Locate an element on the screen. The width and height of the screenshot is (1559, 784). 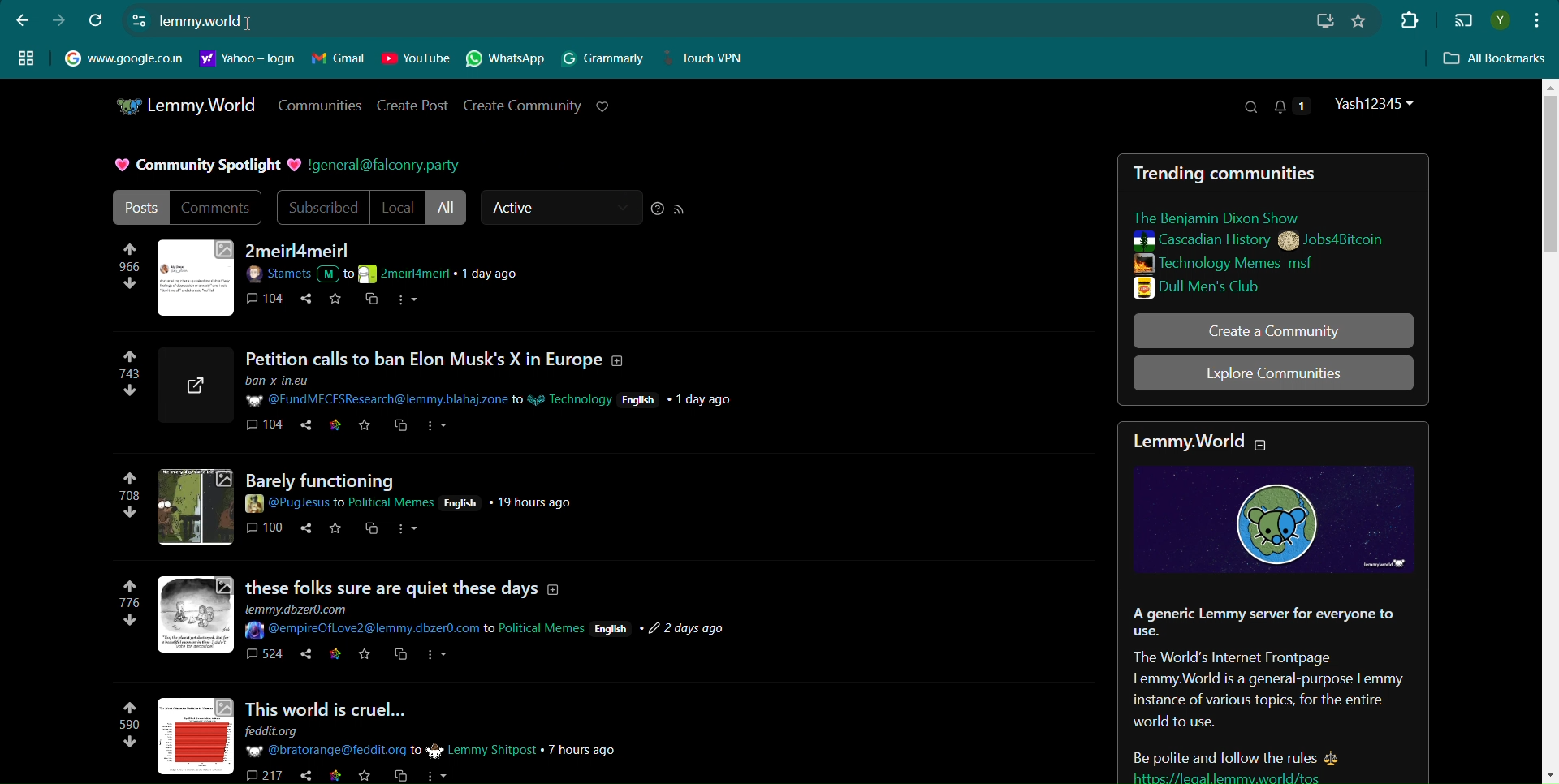
Forward is located at coordinates (58, 20).